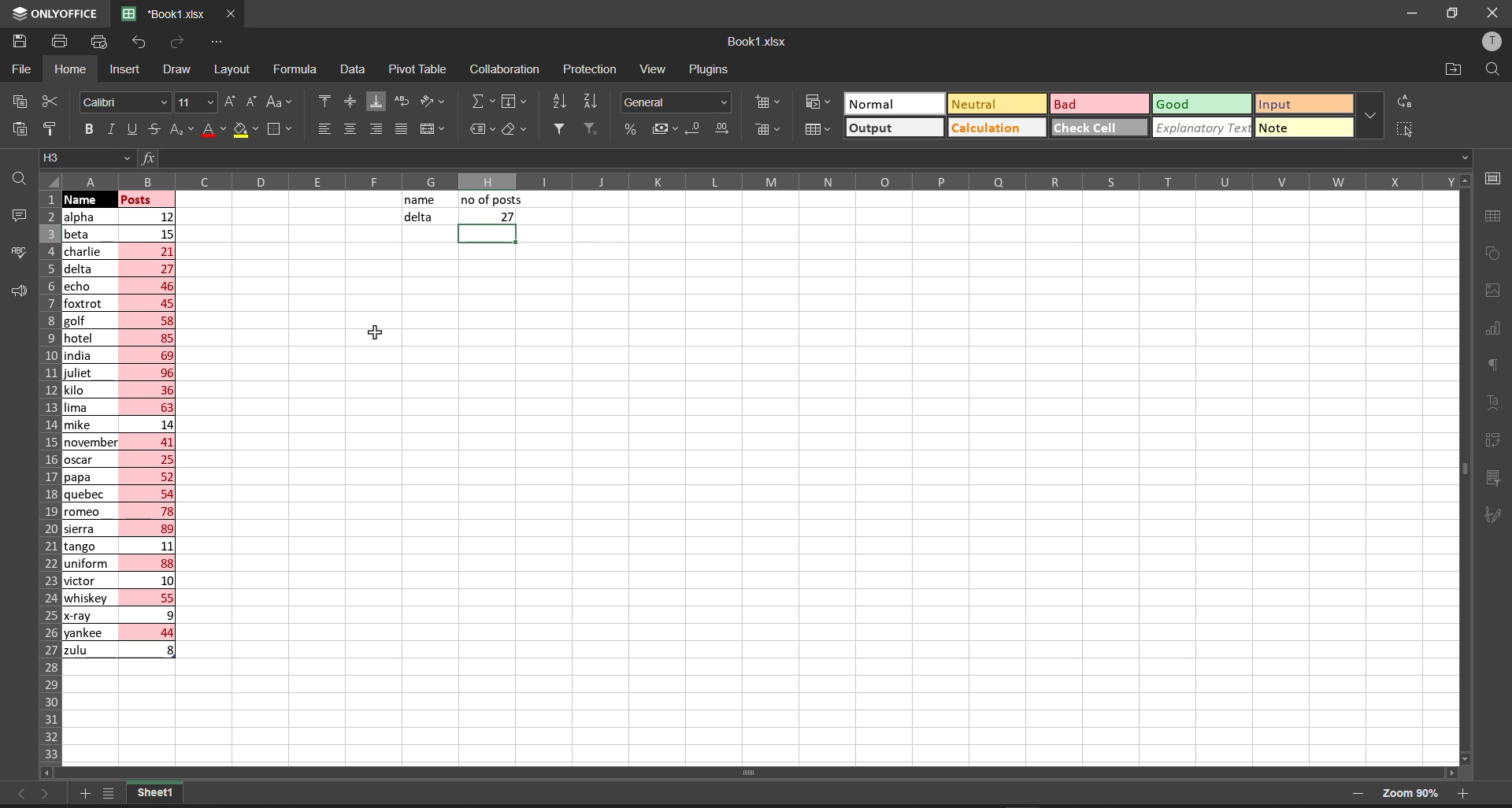 The width and height of the screenshot is (1512, 808). Describe the element at coordinates (1496, 366) in the screenshot. I see `paragraph settings` at that location.